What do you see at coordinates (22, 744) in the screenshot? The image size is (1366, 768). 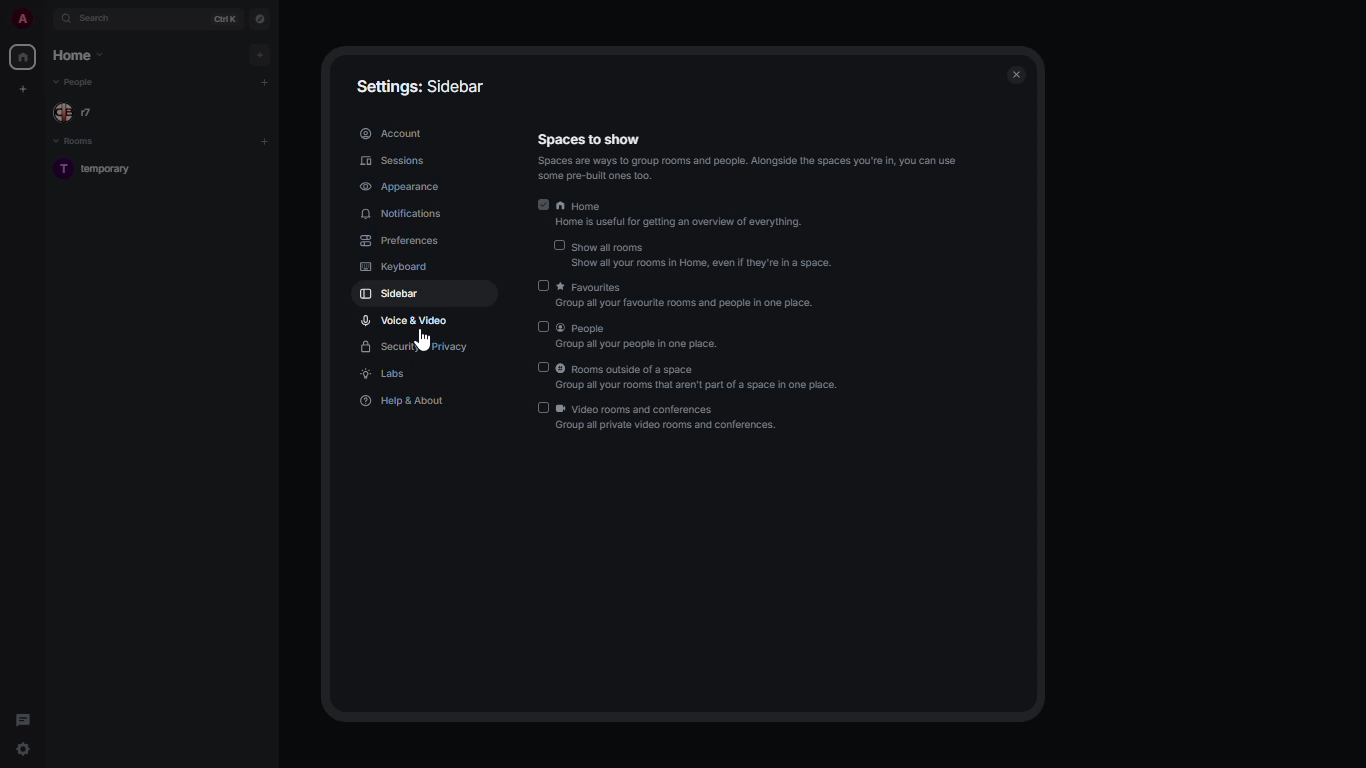 I see `quick settings` at bounding box center [22, 744].